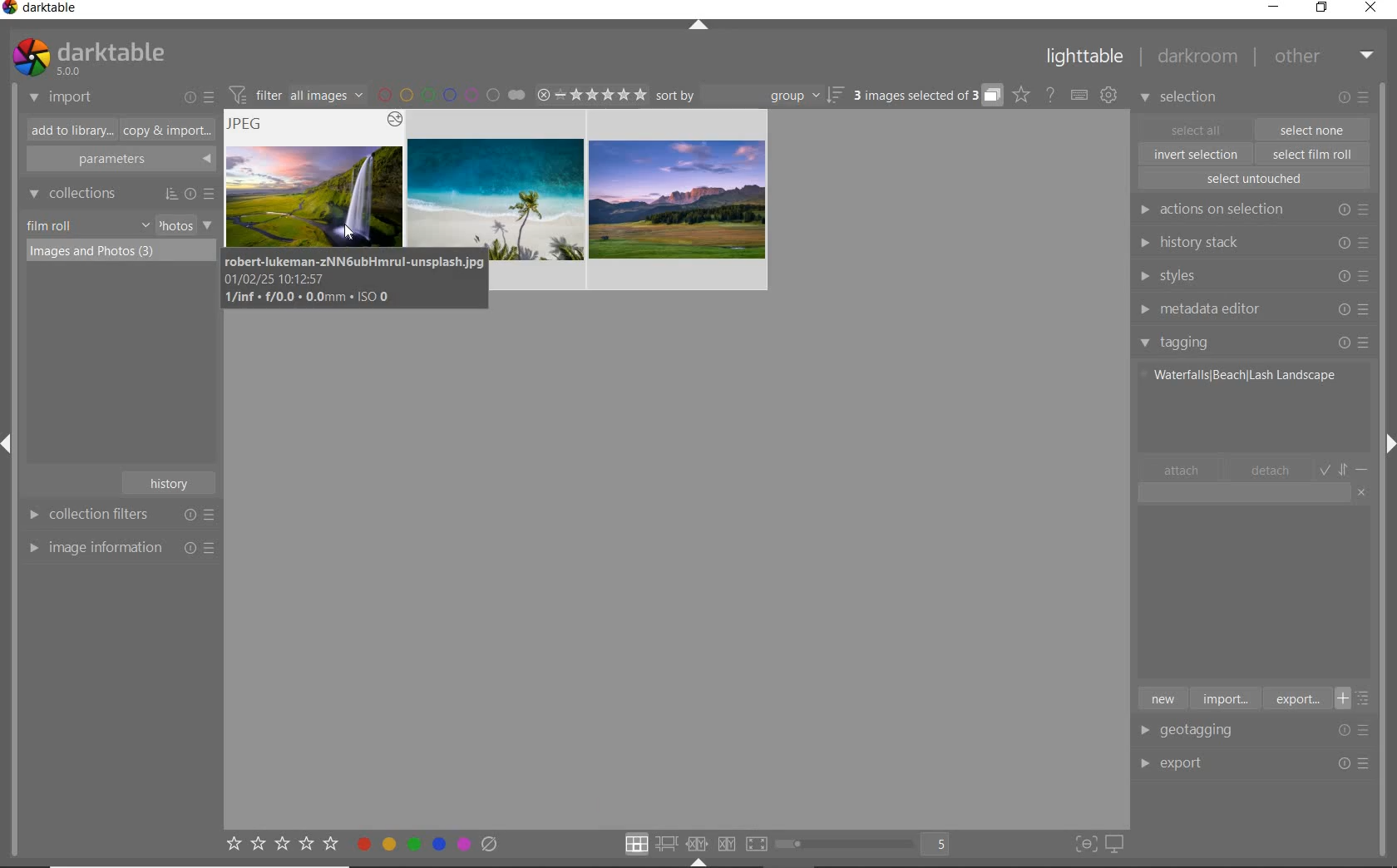 This screenshot has height=868, width=1397. Describe the element at coordinates (1324, 56) in the screenshot. I see `other` at that location.